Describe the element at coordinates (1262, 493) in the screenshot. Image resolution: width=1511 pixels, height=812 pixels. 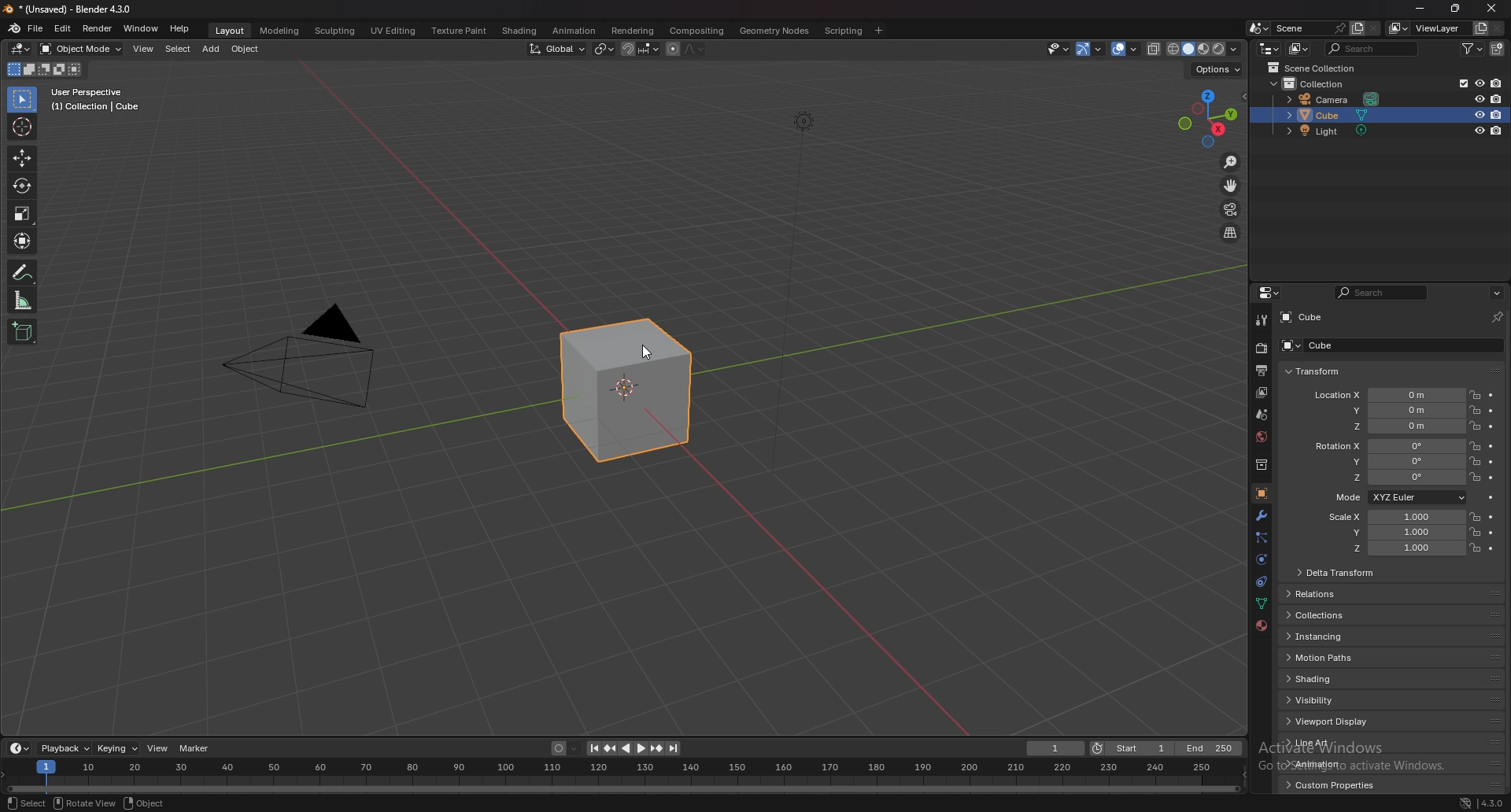
I see `object` at that location.